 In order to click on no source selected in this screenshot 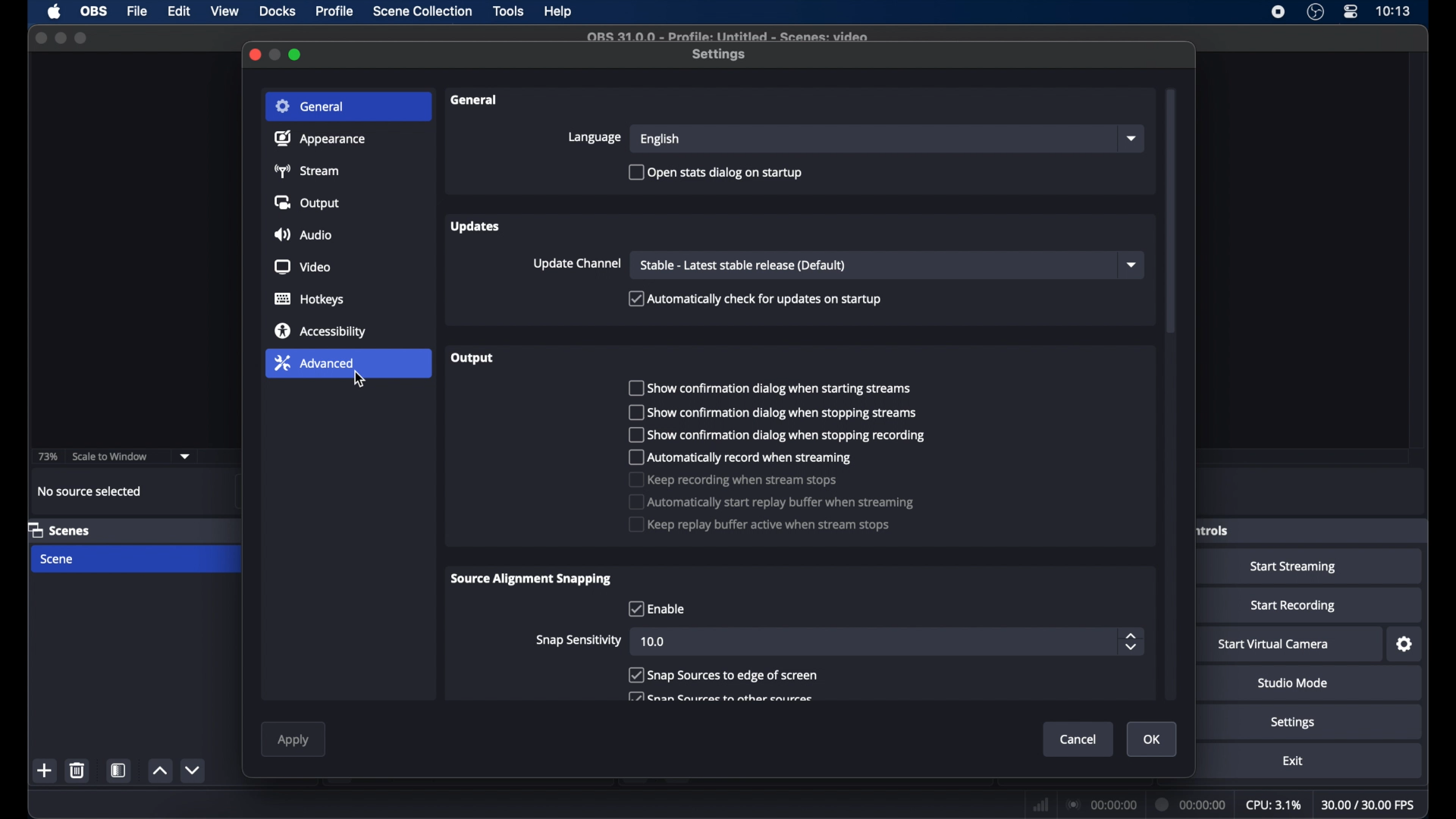, I will do `click(90, 491)`.